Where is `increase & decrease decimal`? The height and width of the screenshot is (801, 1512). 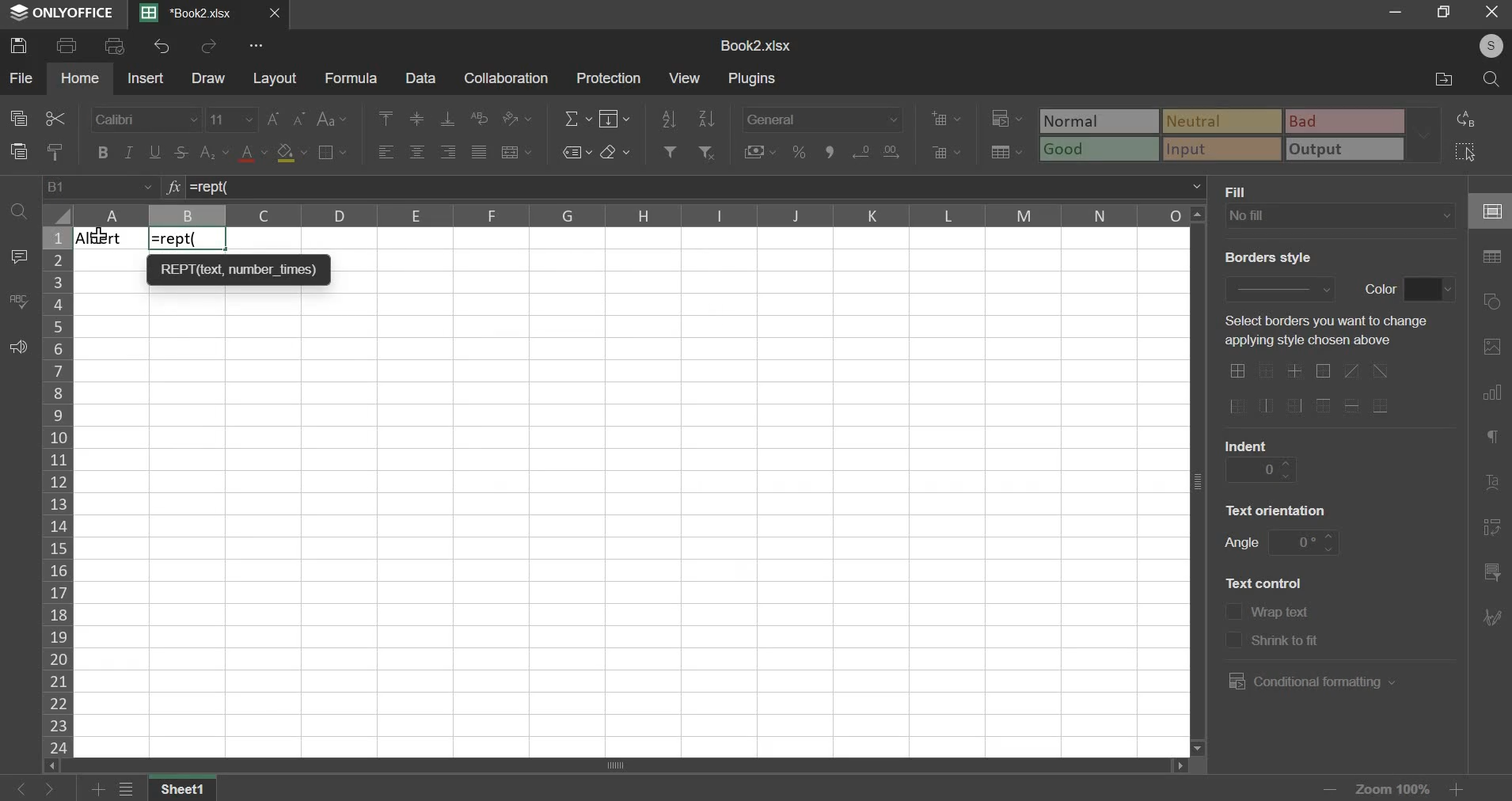
increase & decrease decimal is located at coordinates (876, 151).